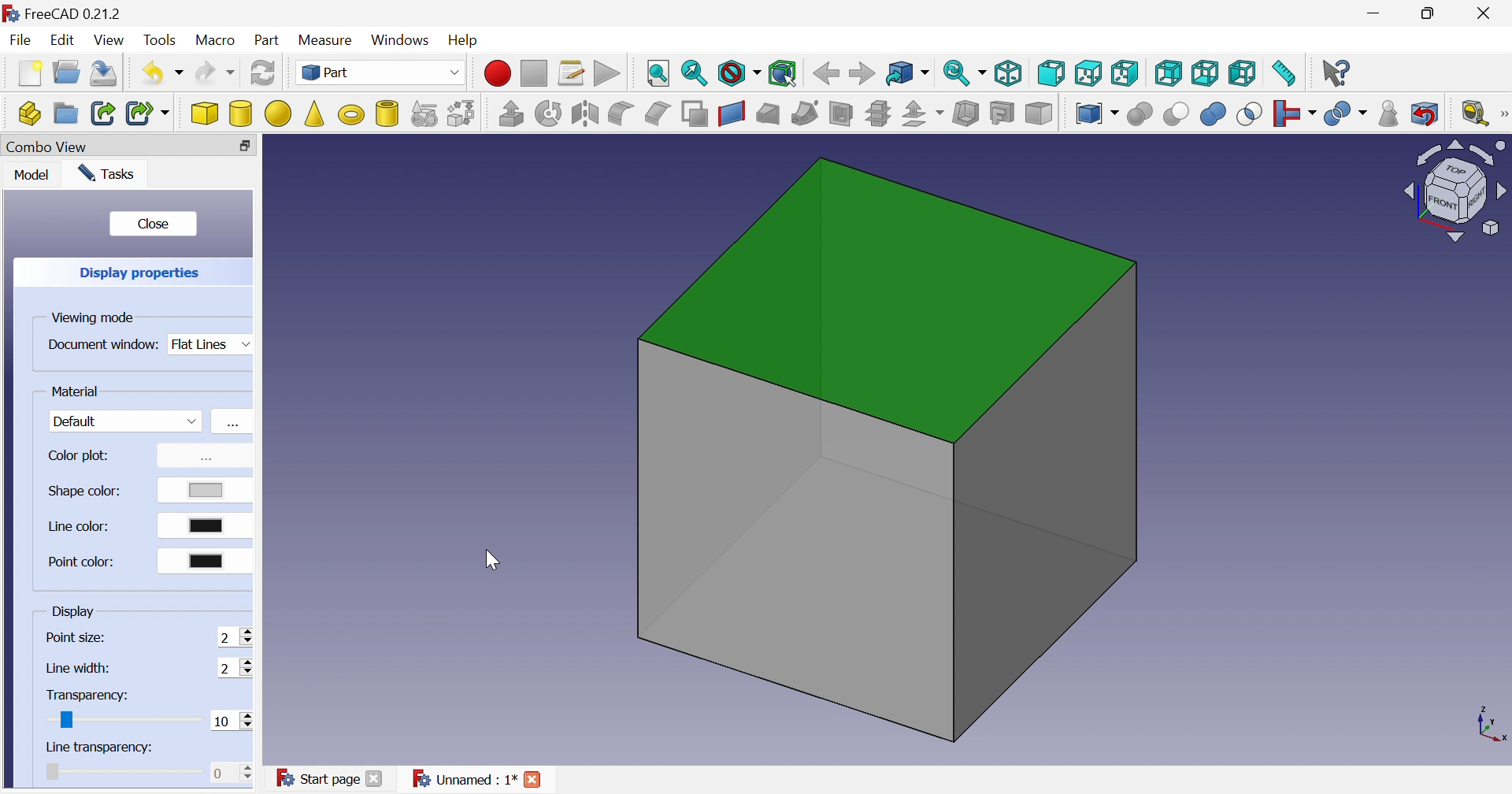 Image resolution: width=1512 pixels, height=794 pixels. What do you see at coordinates (74, 611) in the screenshot?
I see `Display` at bounding box center [74, 611].